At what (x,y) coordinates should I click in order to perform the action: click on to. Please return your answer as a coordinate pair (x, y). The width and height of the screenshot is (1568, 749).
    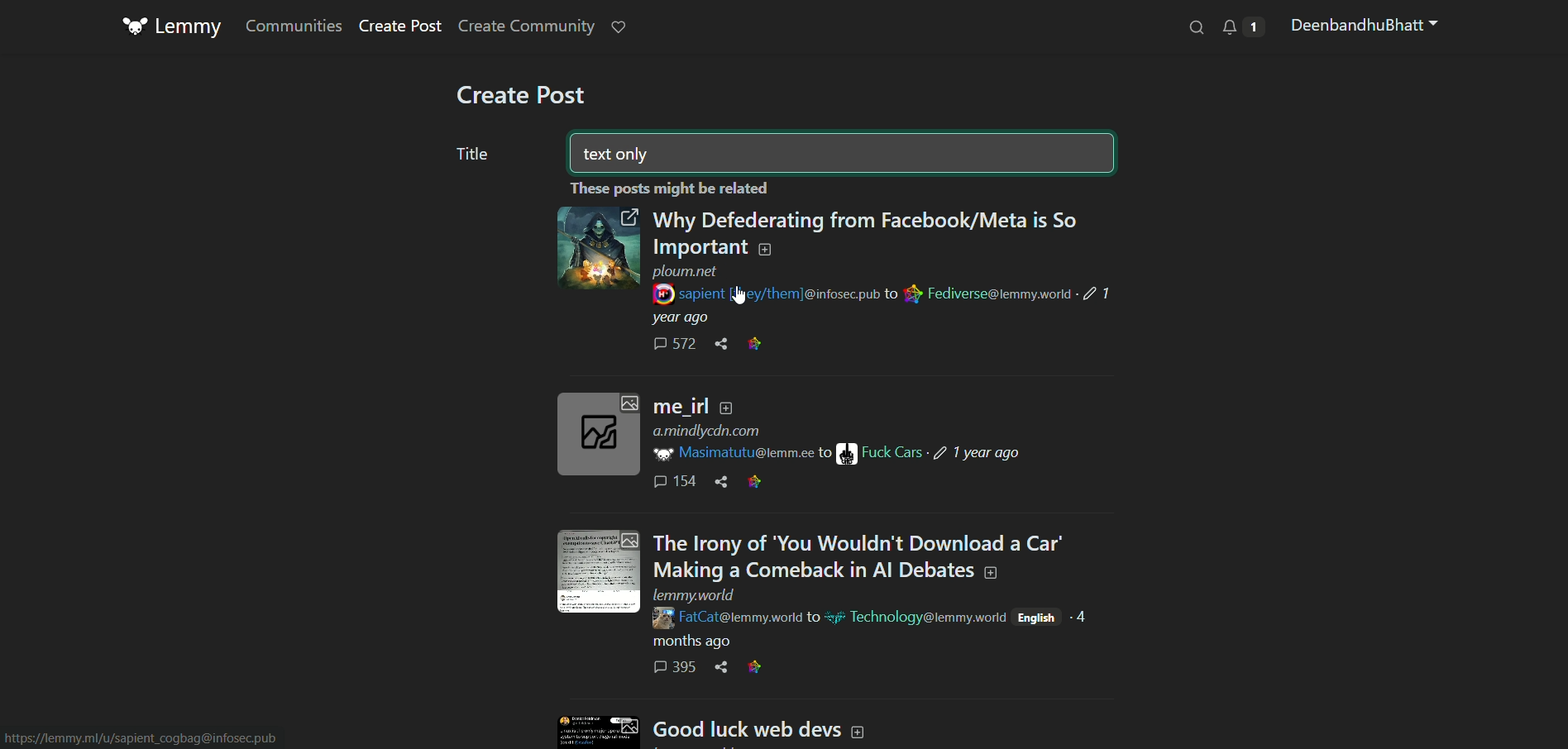
    Looking at the image, I should click on (890, 293).